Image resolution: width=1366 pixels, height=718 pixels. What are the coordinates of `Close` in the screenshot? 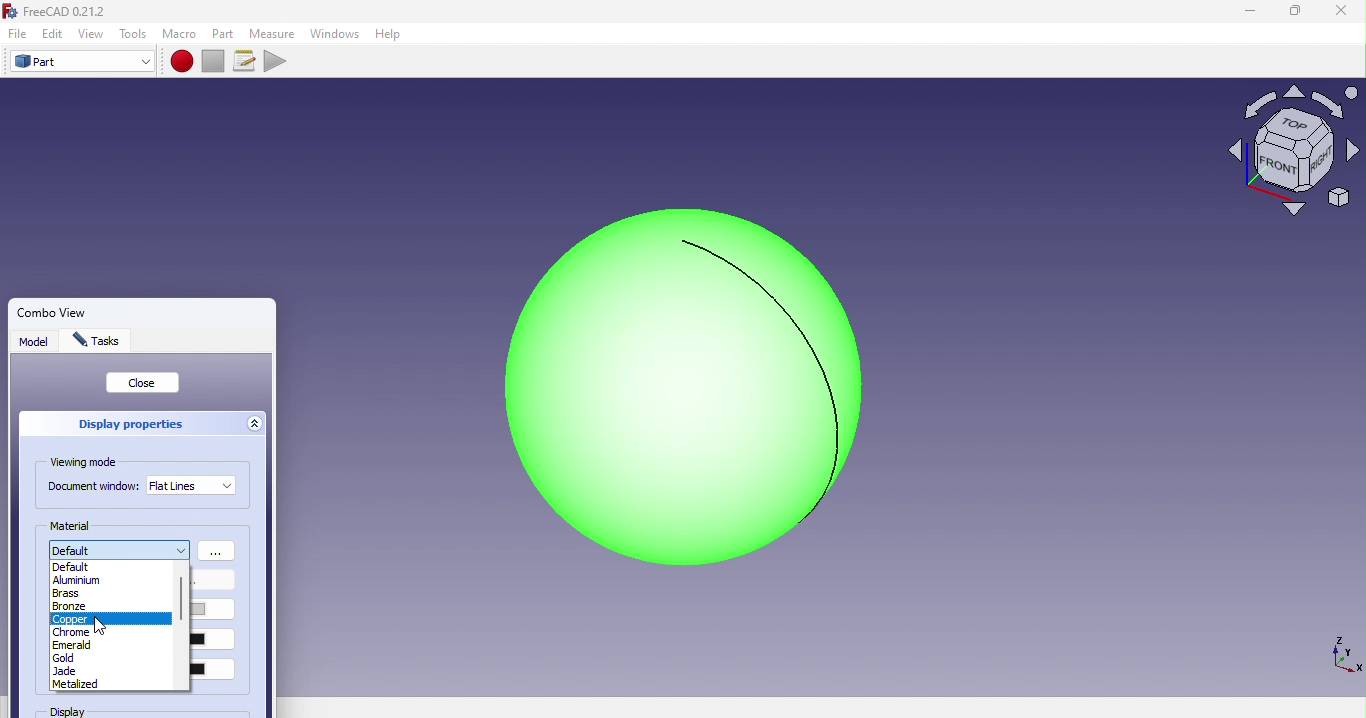 It's located at (144, 383).